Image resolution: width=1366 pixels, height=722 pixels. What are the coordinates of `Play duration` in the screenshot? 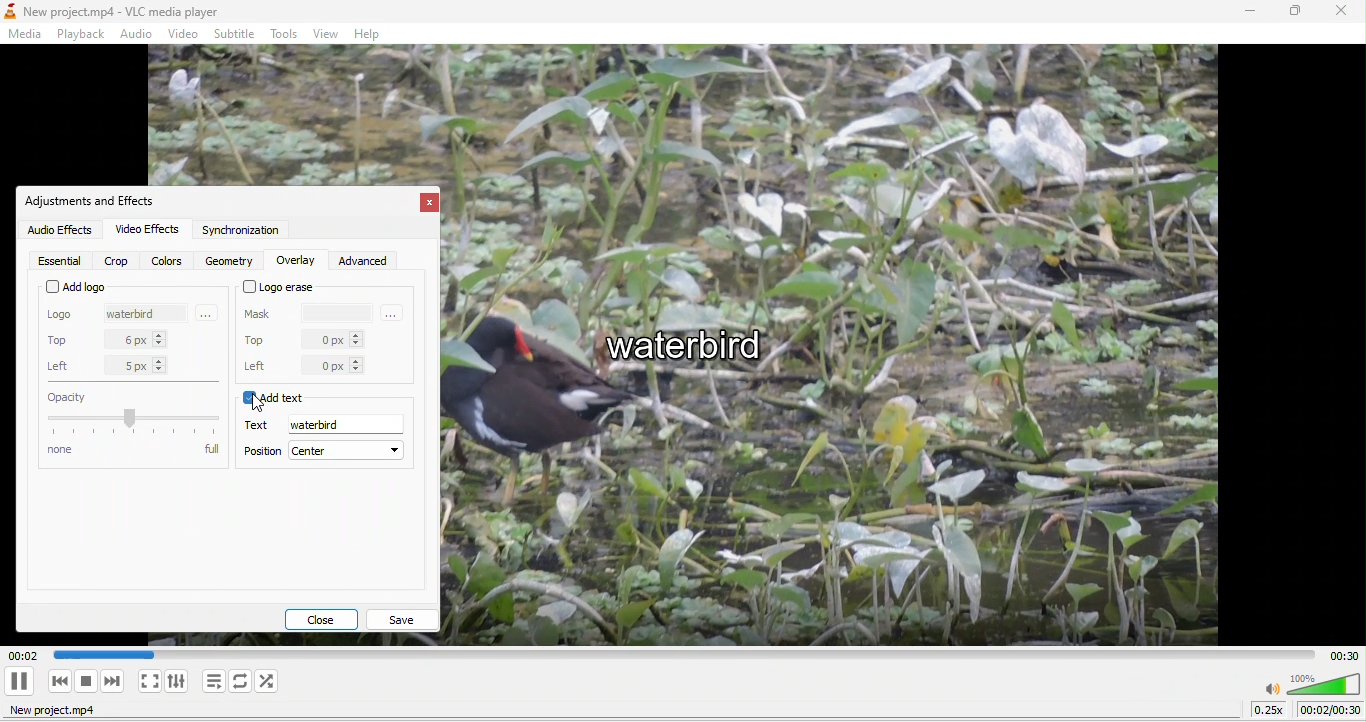 It's located at (673, 654).